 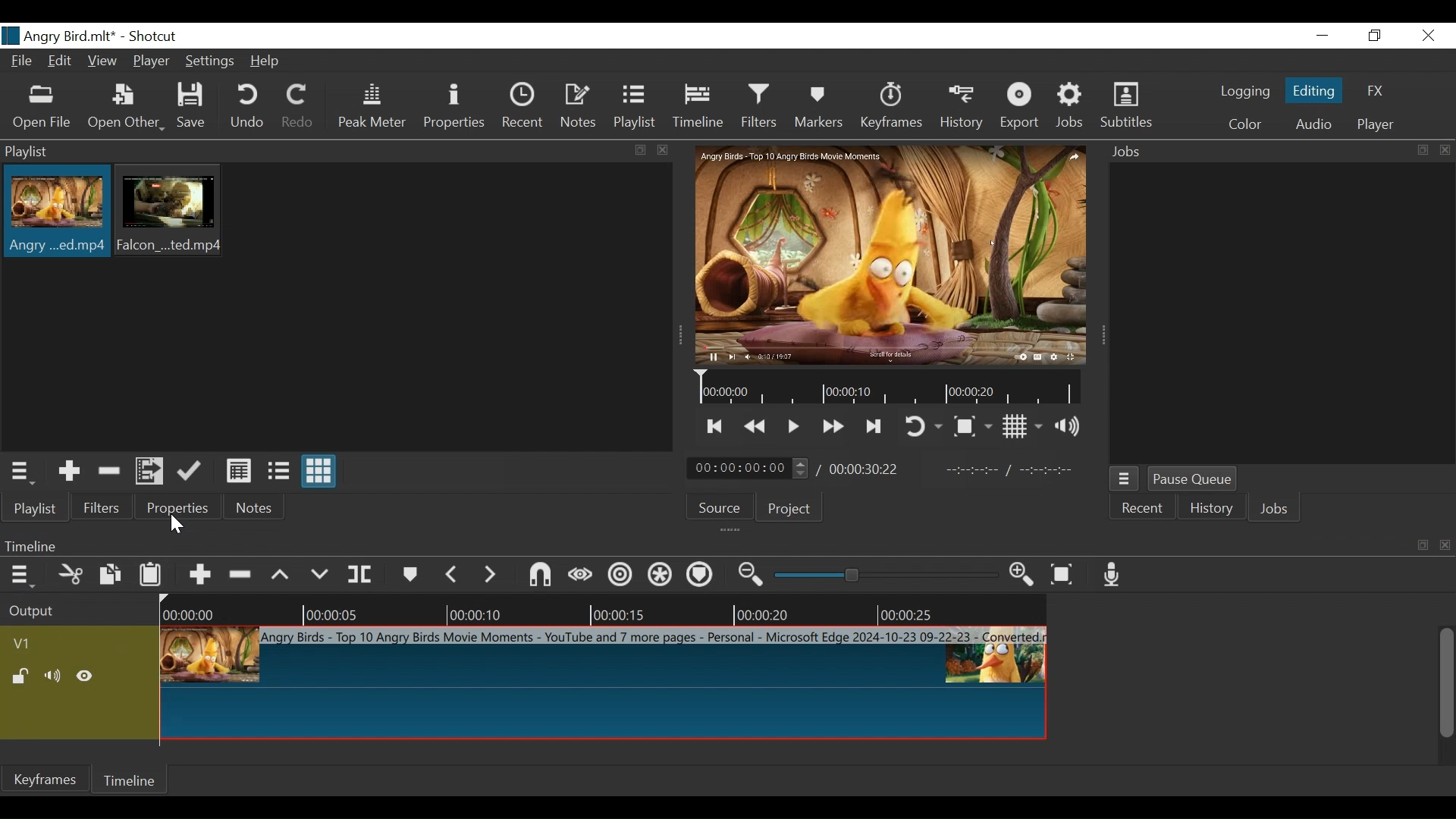 I want to click on Timeline, so click(x=131, y=779).